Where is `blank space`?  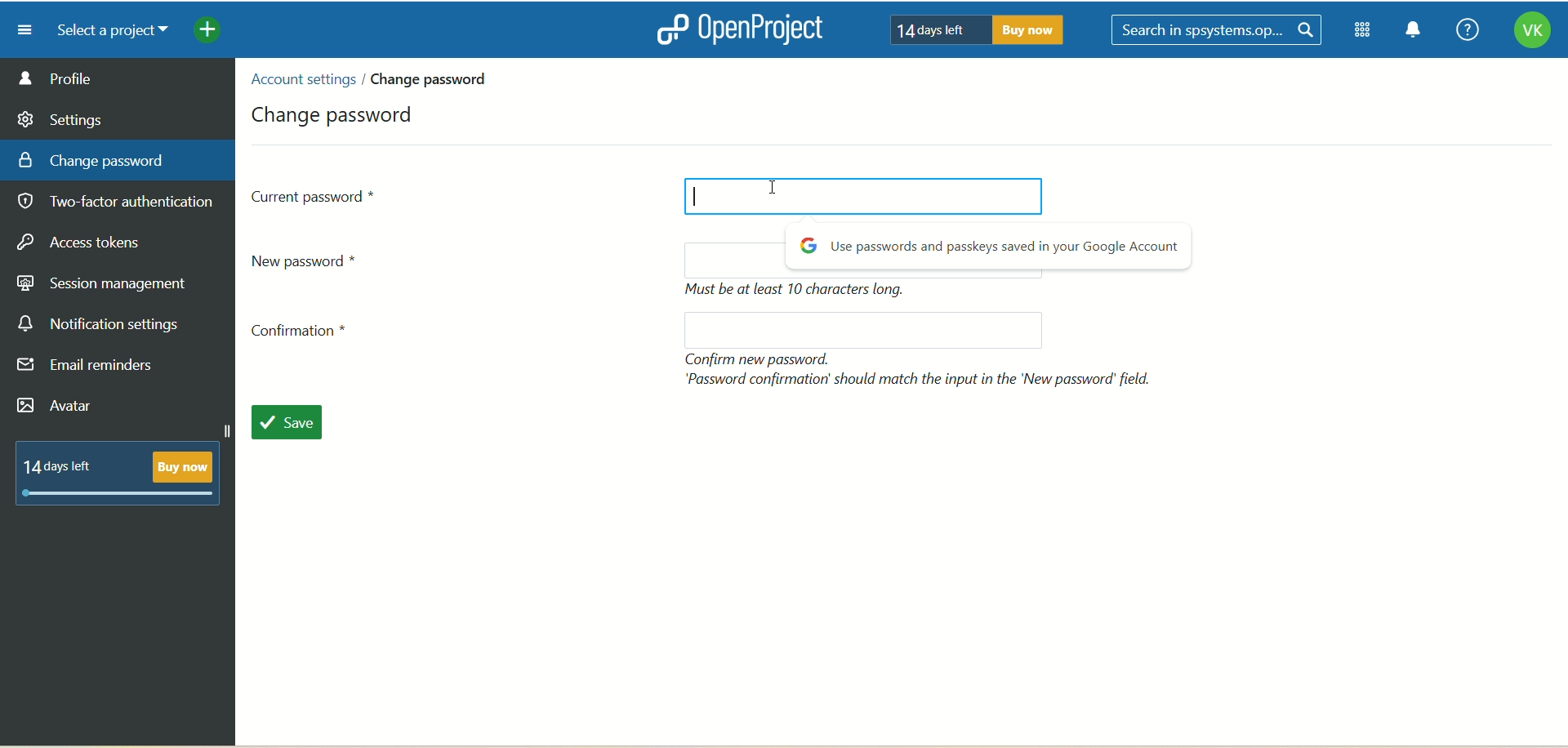
blank space is located at coordinates (855, 330).